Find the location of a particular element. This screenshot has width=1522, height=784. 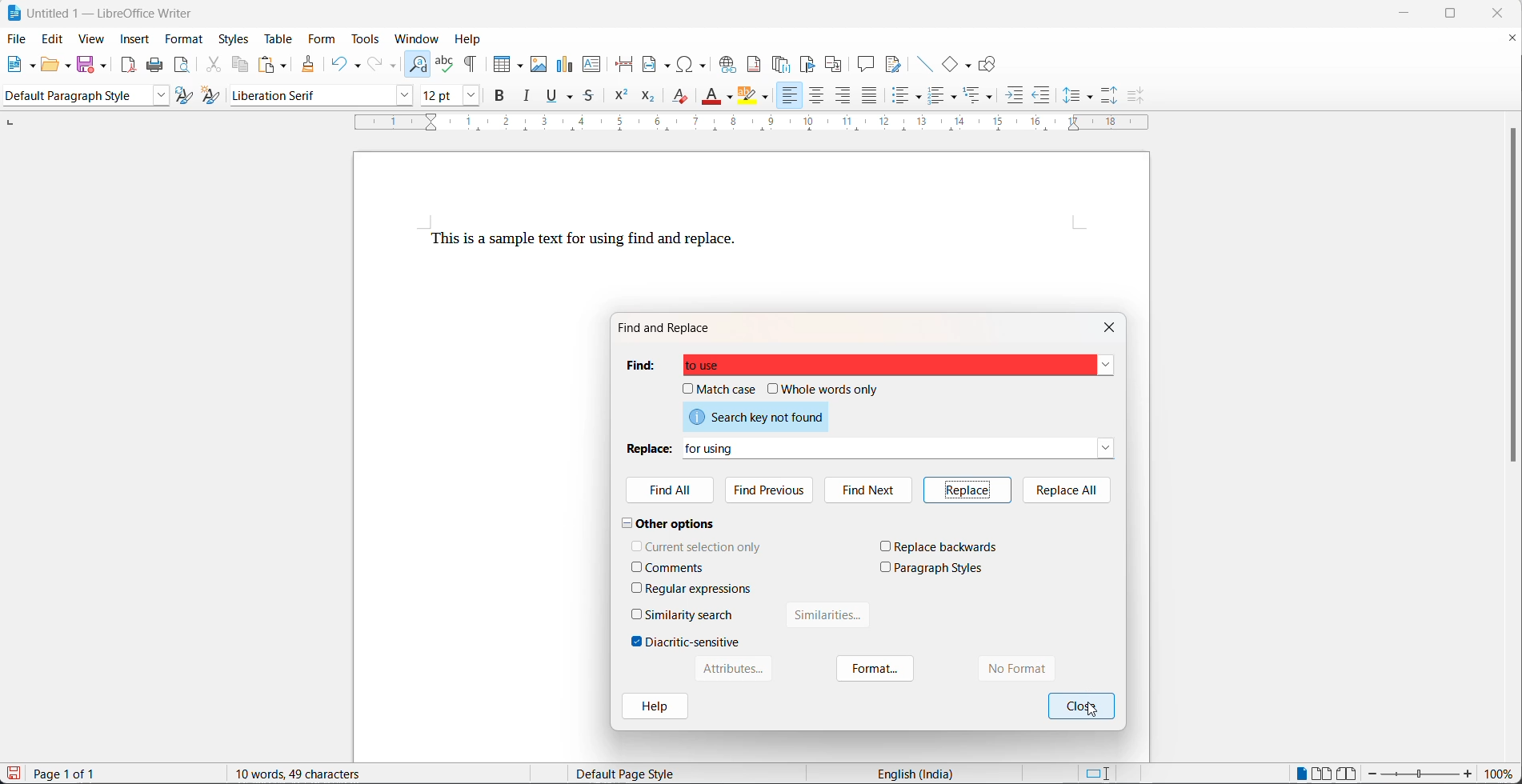

cut is located at coordinates (214, 66).